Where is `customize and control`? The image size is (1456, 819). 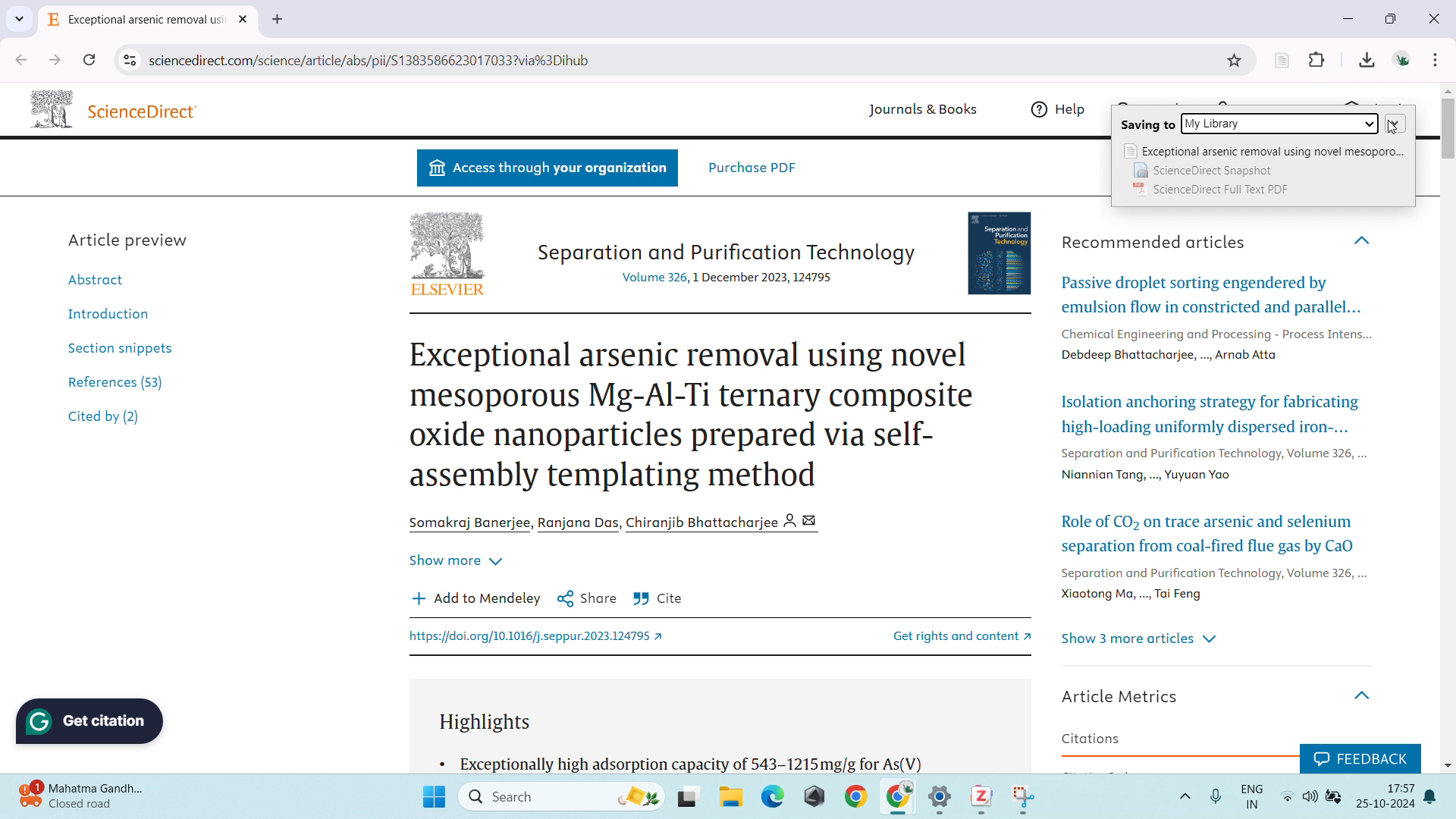 customize and control is located at coordinates (1437, 59).